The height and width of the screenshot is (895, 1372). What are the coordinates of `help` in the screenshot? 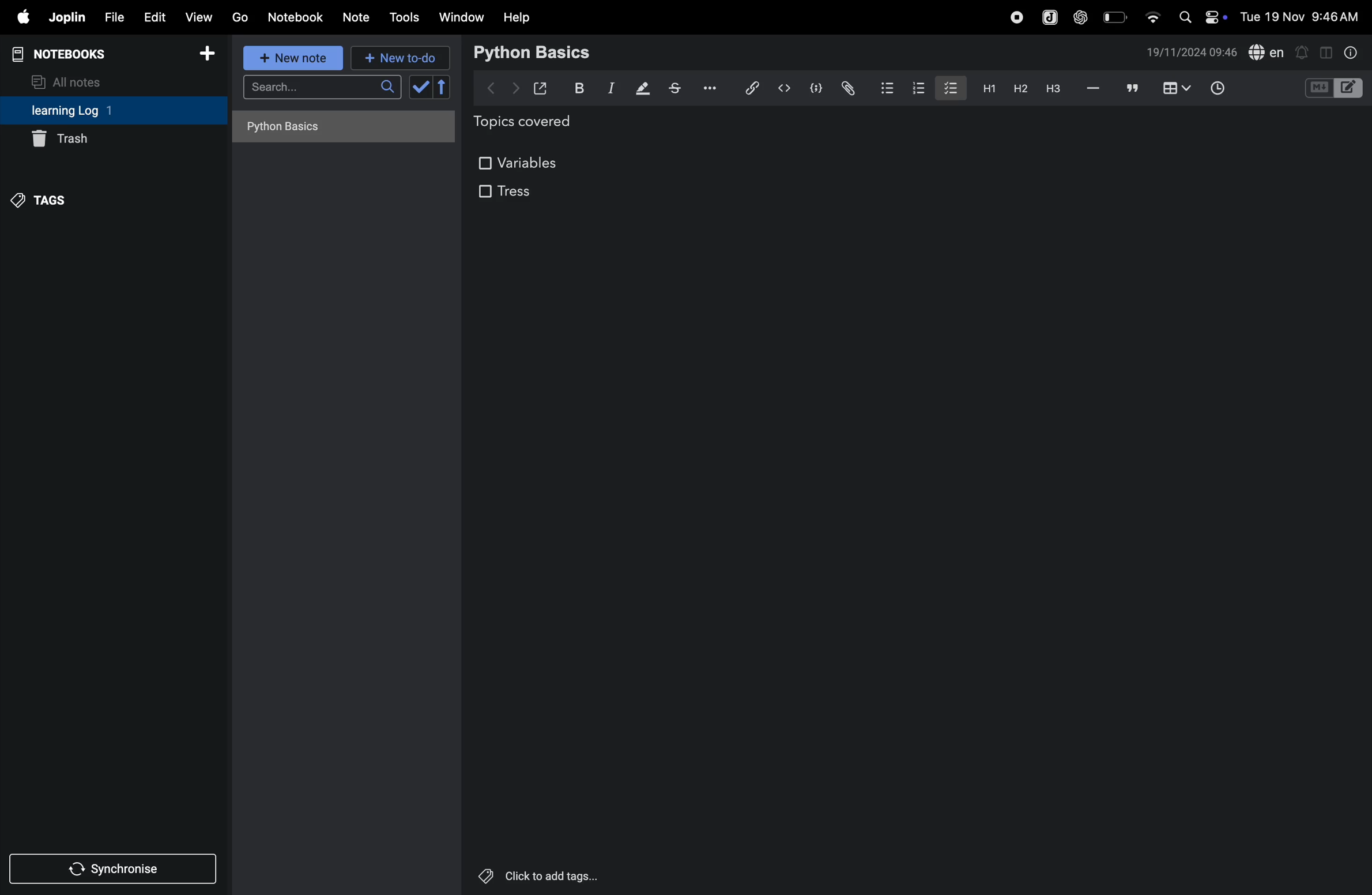 It's located at (517, 17).